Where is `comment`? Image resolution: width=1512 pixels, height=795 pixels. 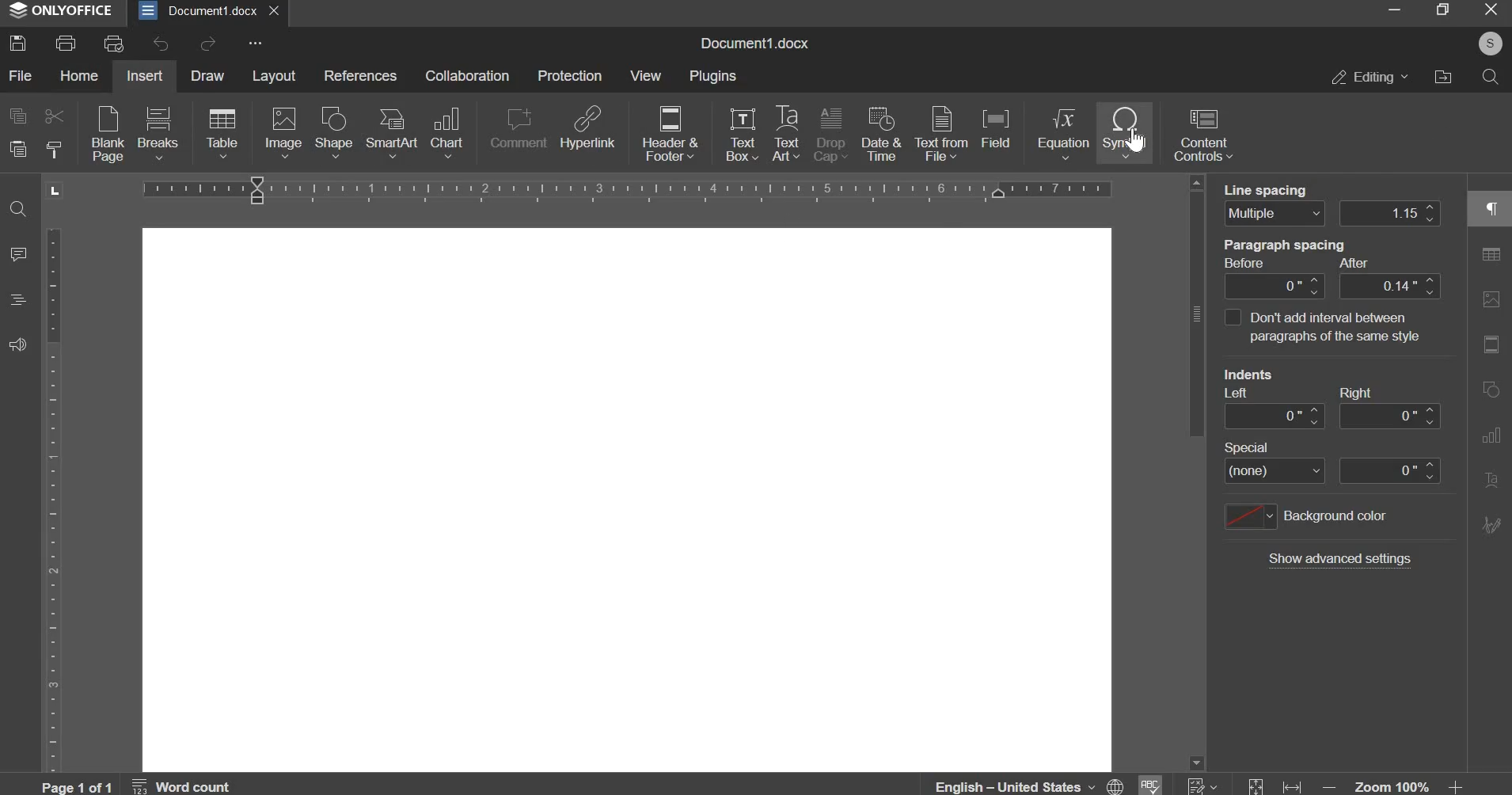
comment is located at coordinates (519, 130).